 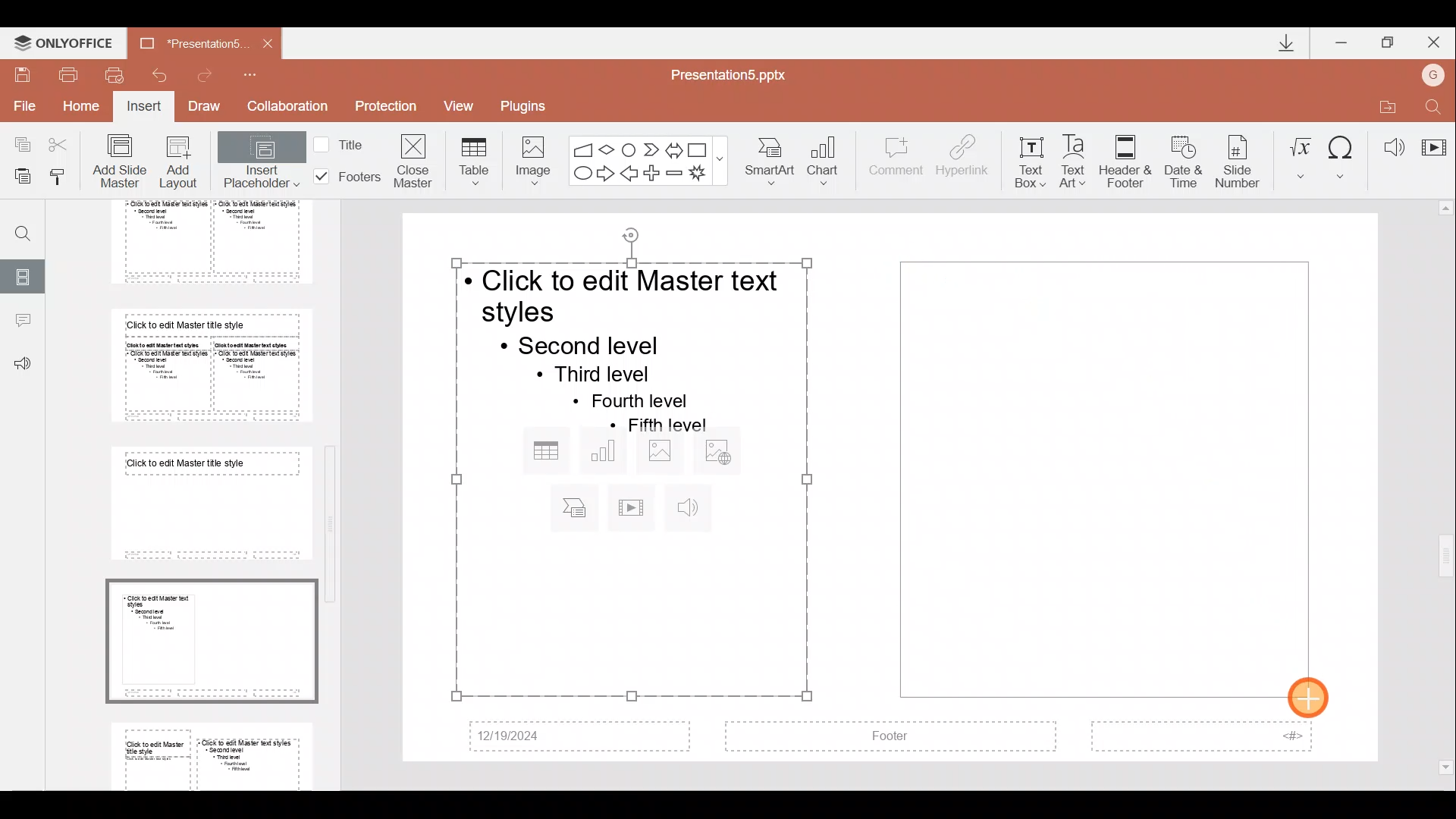 I want to click on Redo, so click(x=211, y=75).